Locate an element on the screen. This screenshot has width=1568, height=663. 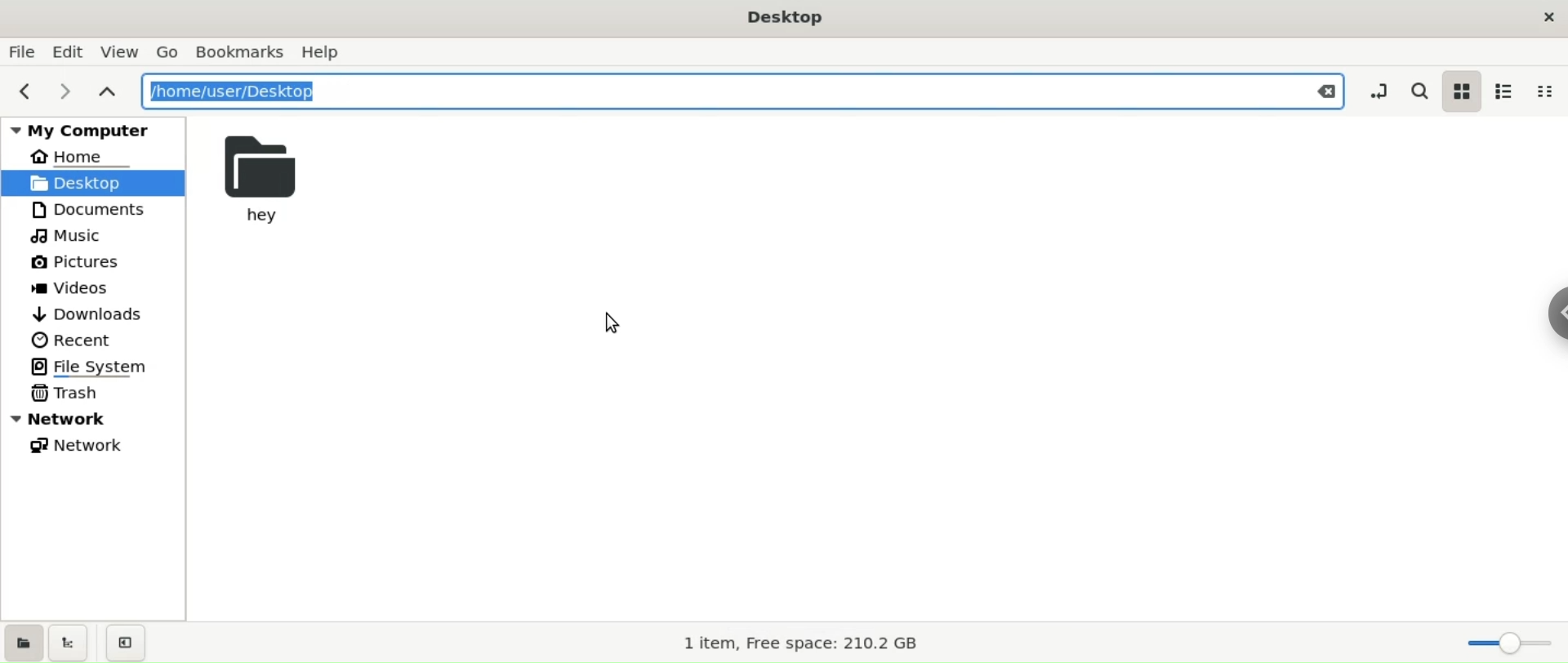
network is located at coordinates (82, 448).